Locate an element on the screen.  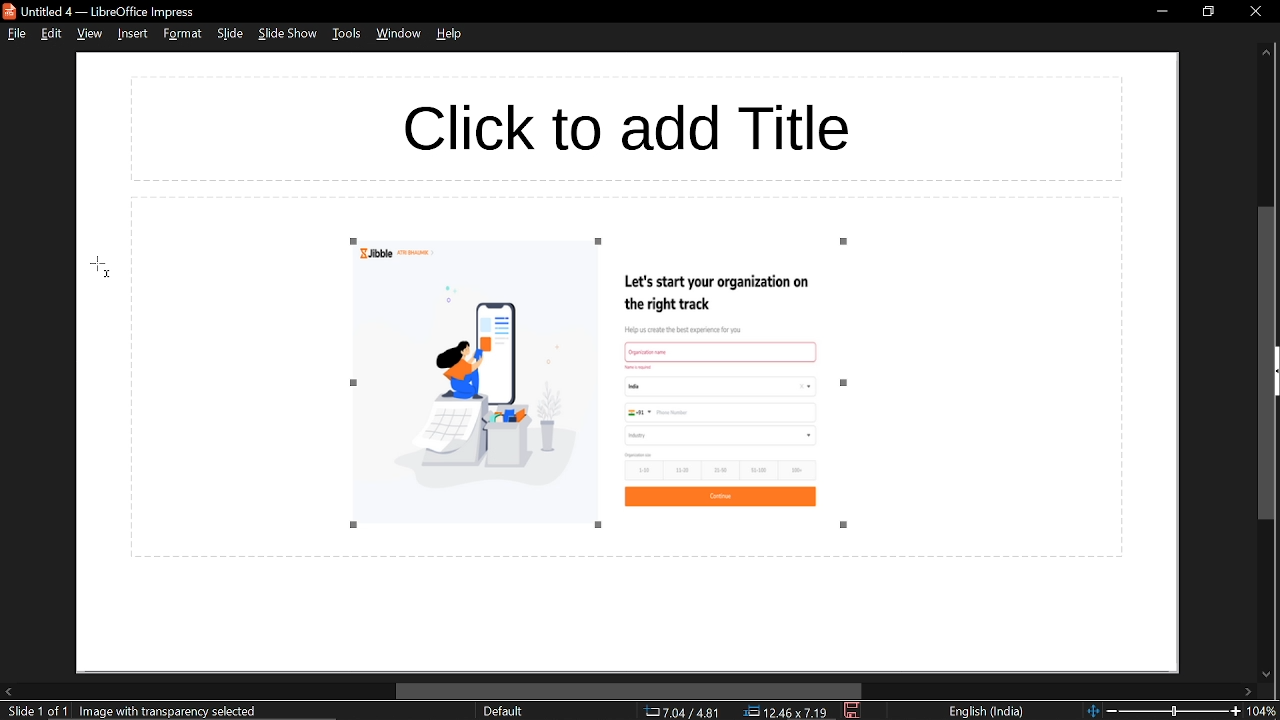
help is located at coordinates (450, 38).